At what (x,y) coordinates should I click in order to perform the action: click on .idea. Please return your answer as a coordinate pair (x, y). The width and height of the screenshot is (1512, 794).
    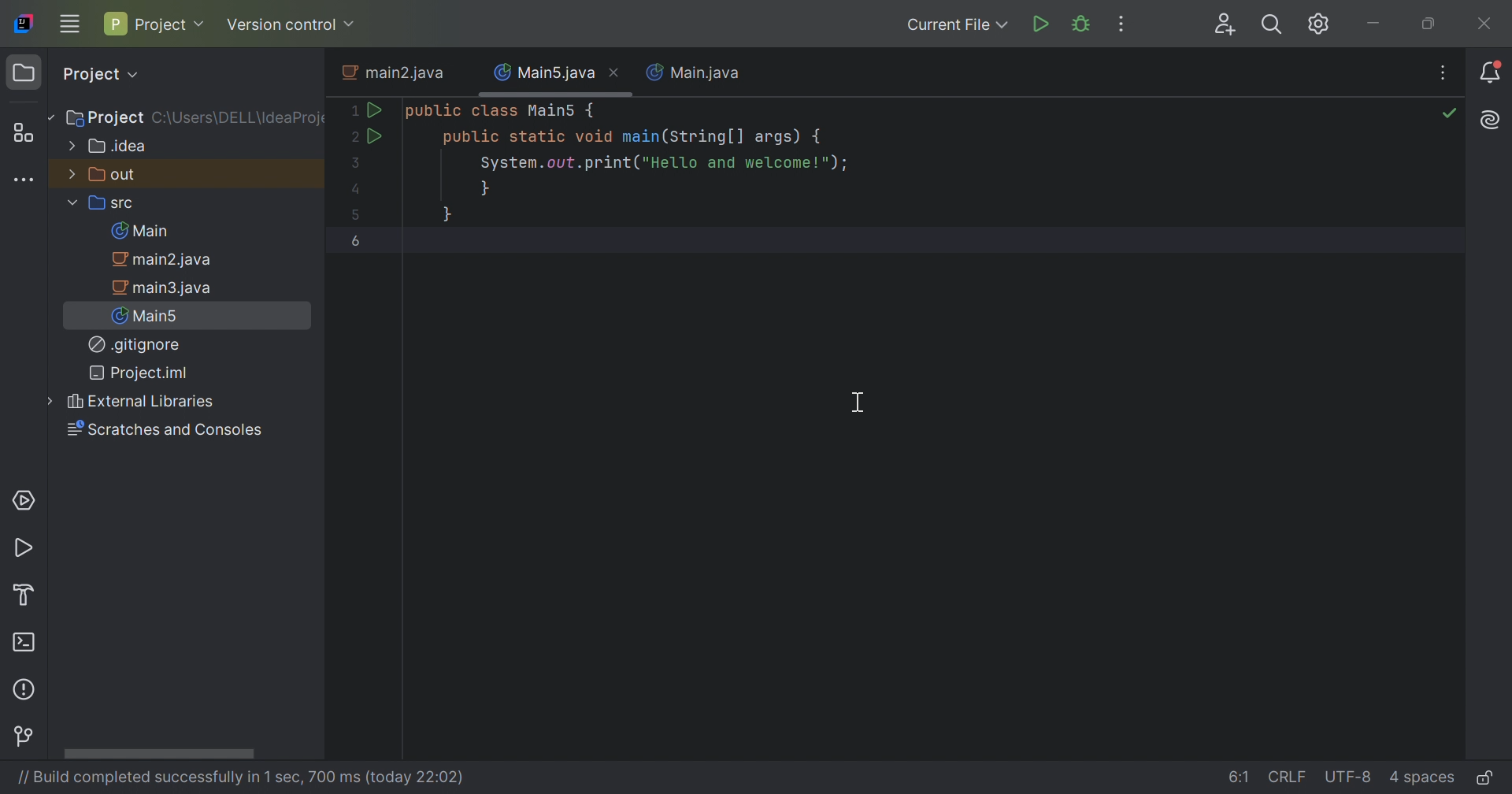
    Looking at the image, I should click on (109, 147).